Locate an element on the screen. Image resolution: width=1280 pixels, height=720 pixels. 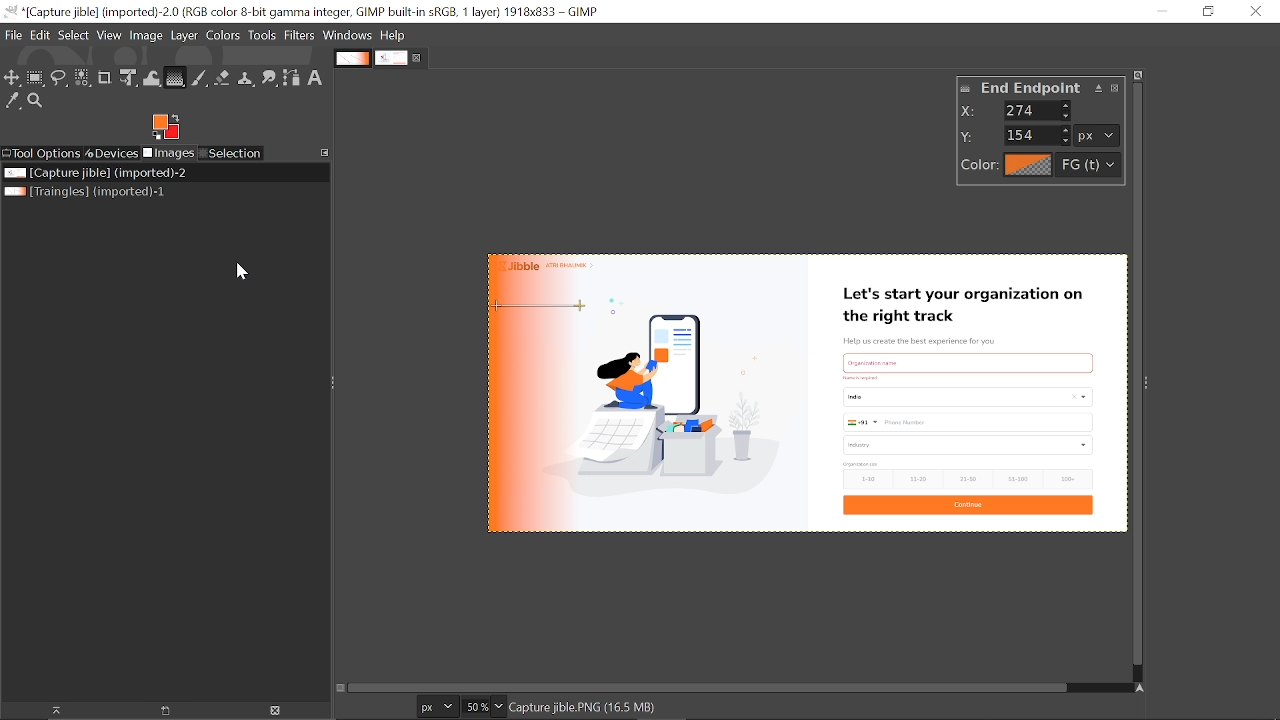
Help is located at coordinates (394, 35).